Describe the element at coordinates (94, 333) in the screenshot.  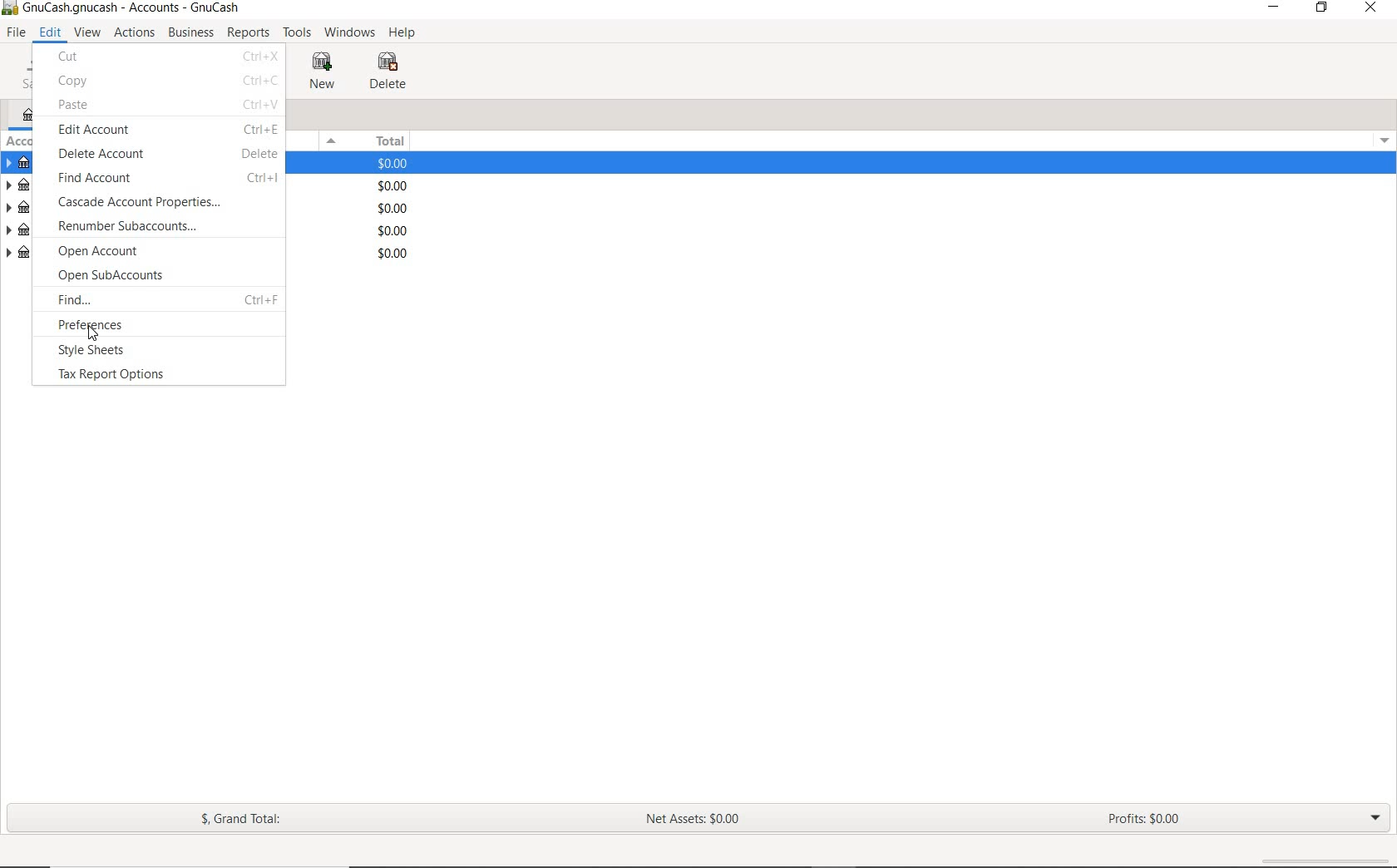
I see `Cursor` at that location.